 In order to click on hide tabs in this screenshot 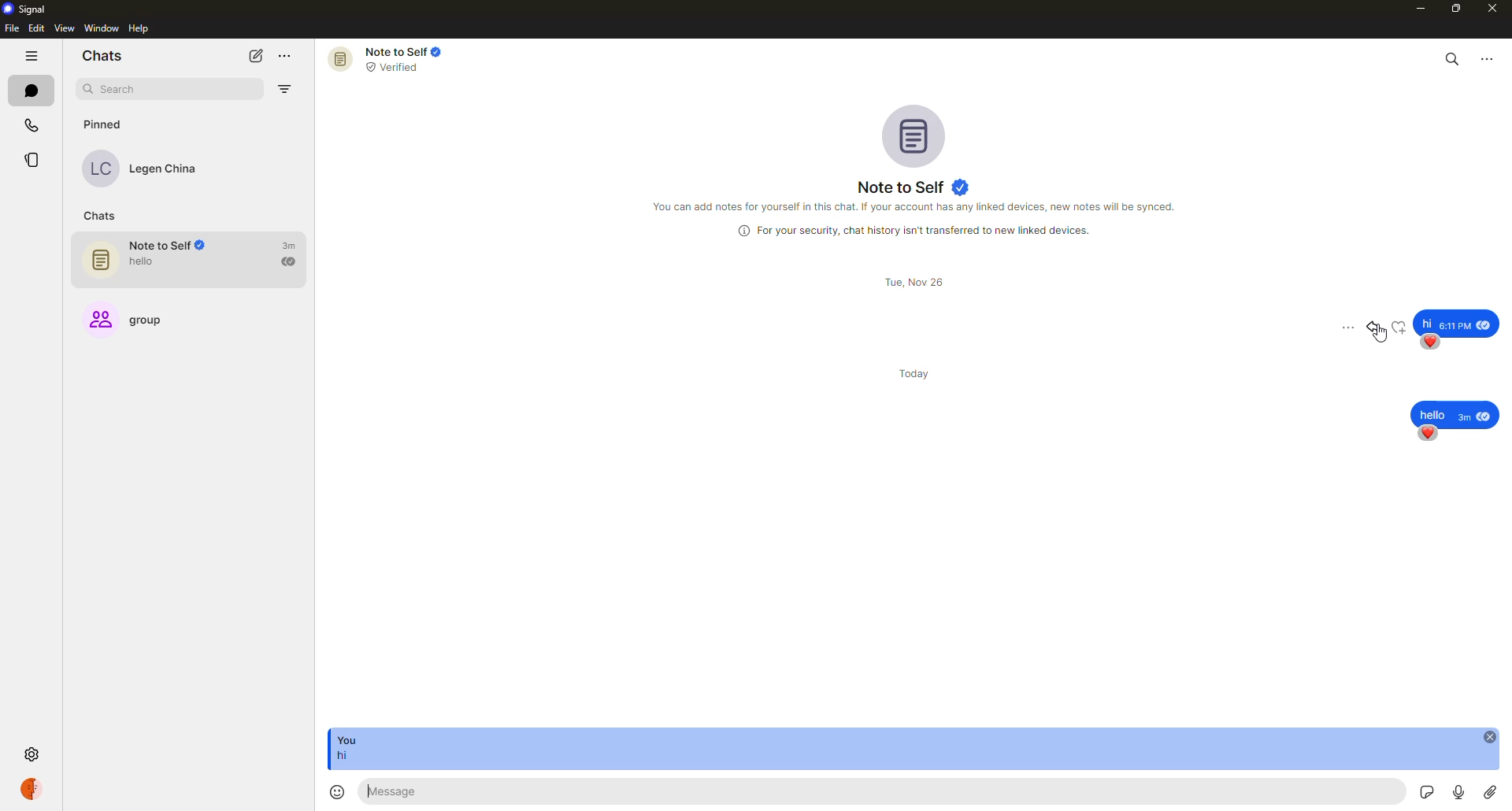, I will do `click(33, 56)`.